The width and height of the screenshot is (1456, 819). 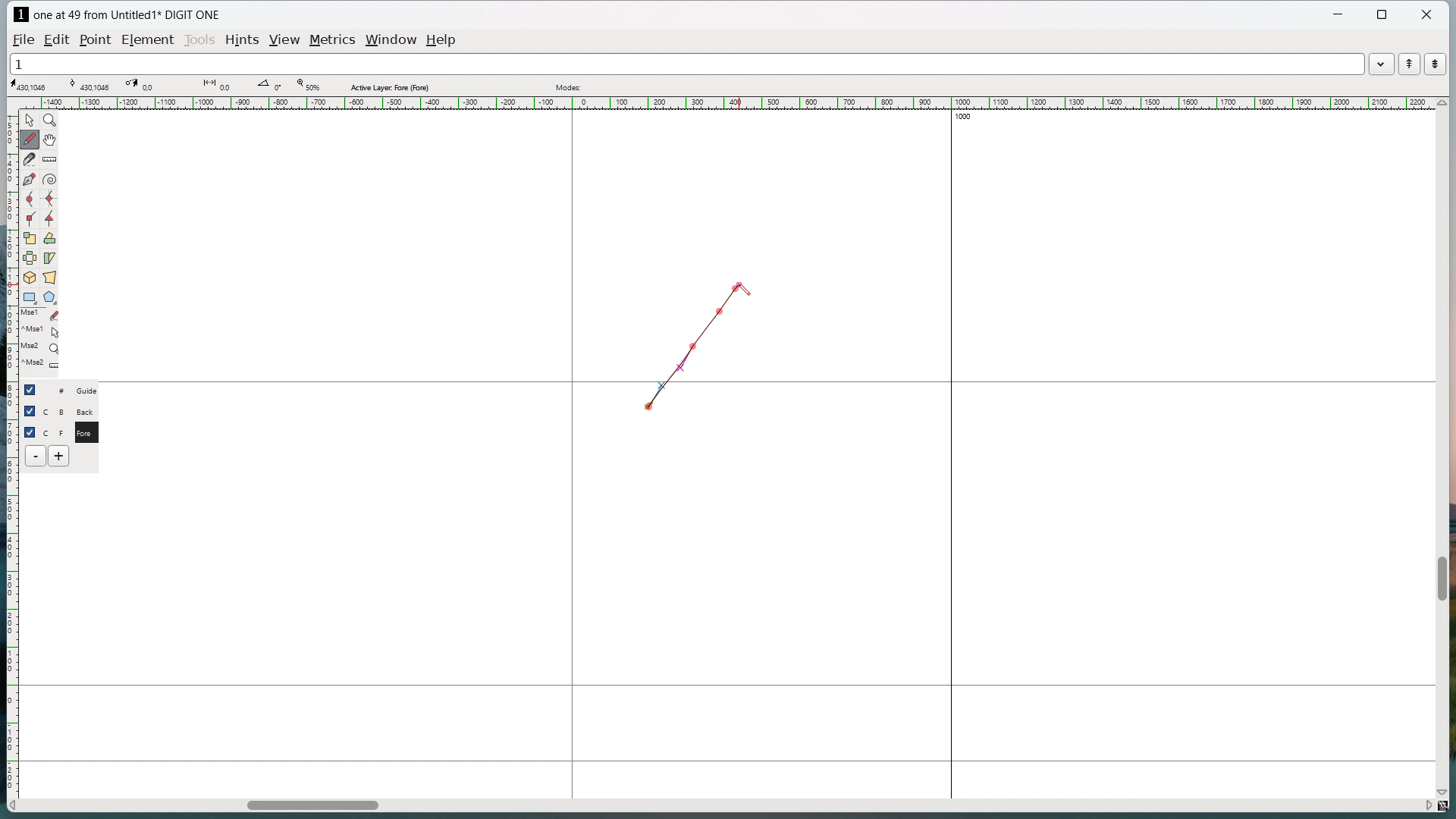 What do you see at coordinates (51, 158) in the screenshot?
I see `measure distance or angle` at bounding box center [51, 158].